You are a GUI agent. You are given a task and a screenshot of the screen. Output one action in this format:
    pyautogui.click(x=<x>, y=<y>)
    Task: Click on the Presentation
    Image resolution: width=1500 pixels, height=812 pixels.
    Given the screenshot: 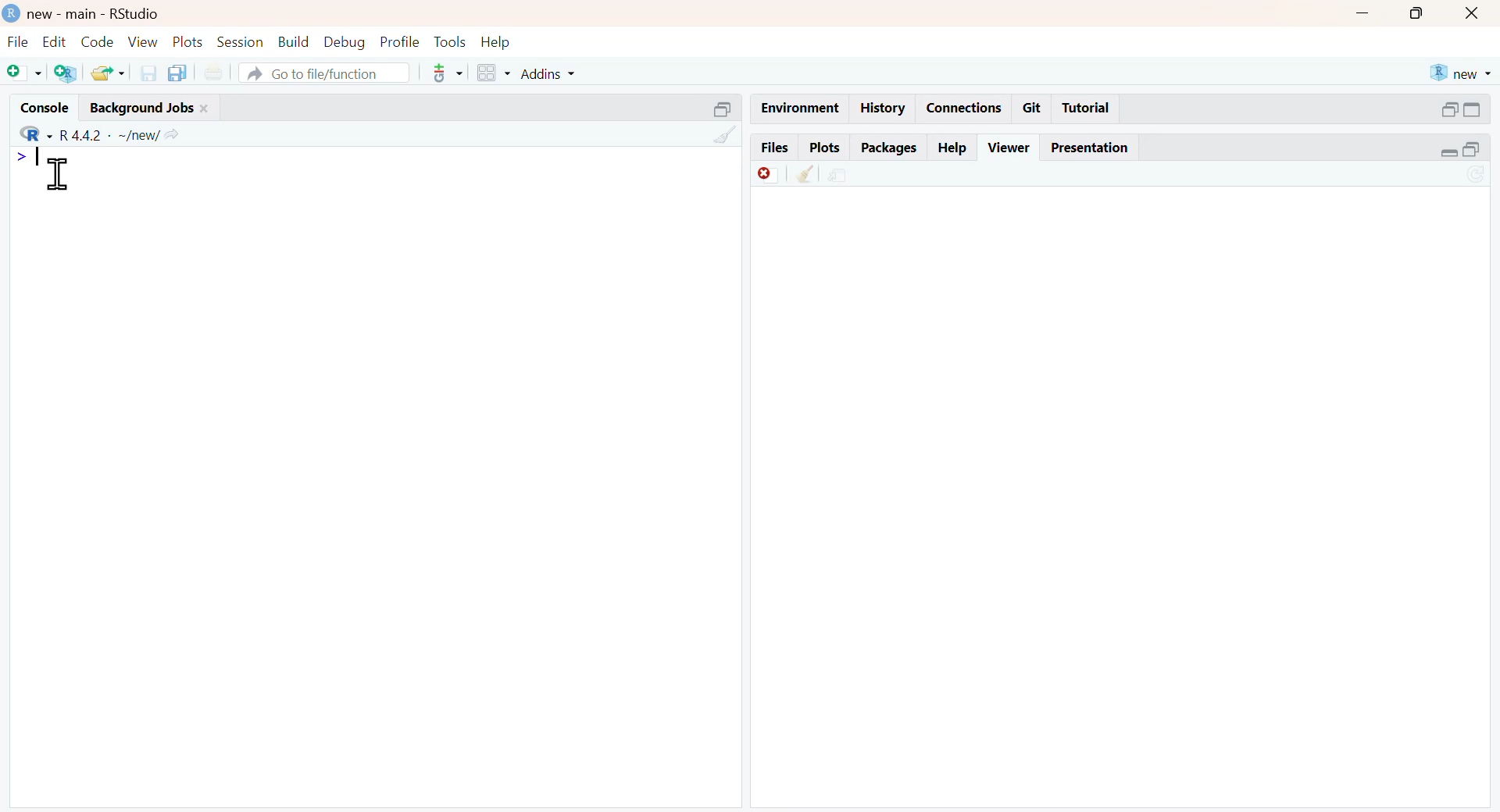 What is the action you would take?
    pyautogui.click(x=1090, y=149)
    